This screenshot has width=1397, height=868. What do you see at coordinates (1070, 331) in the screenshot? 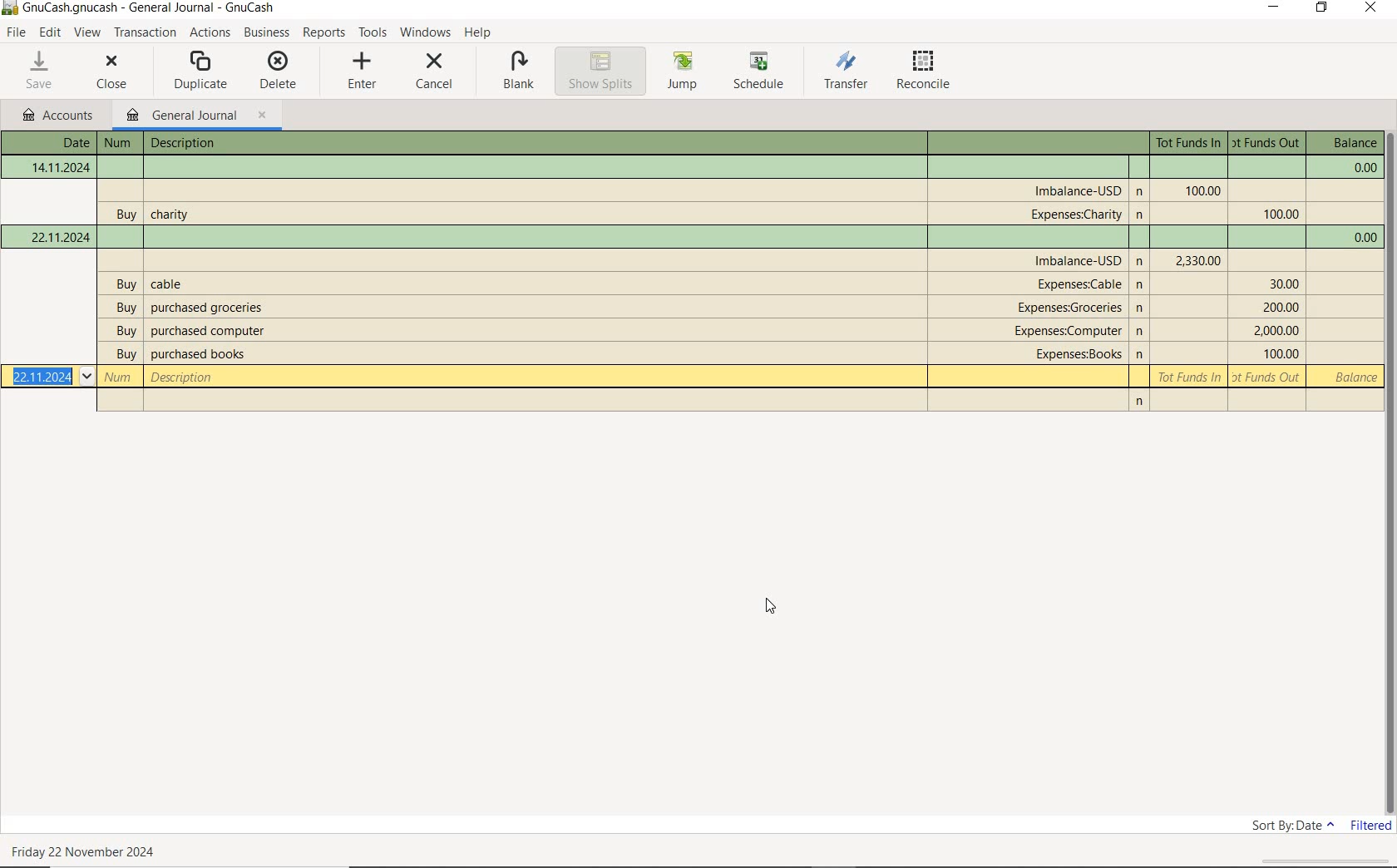
I see `account` at bounding box center [1070, 331].